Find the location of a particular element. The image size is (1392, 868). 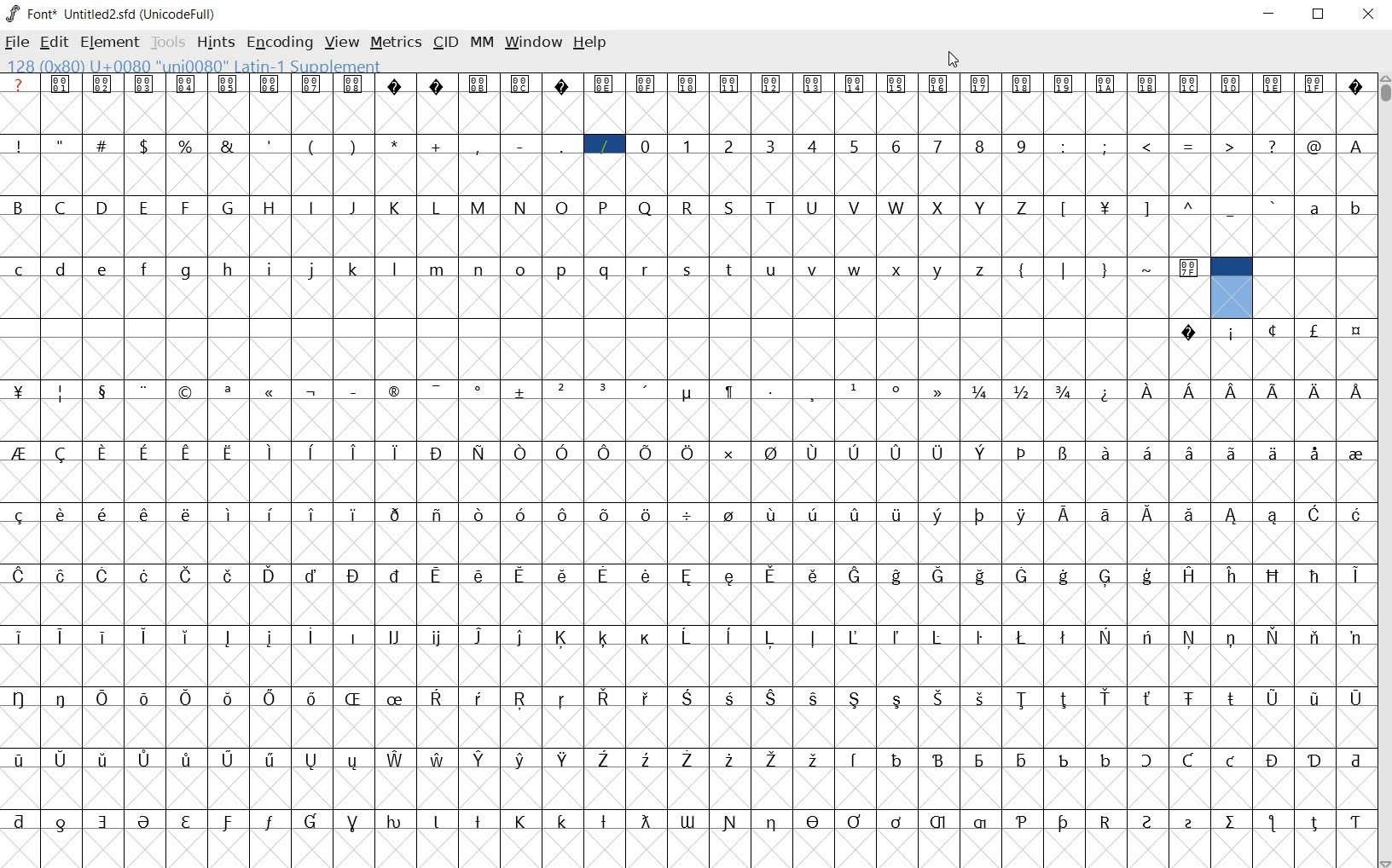

Symbol is located at coordinates (107, 514).